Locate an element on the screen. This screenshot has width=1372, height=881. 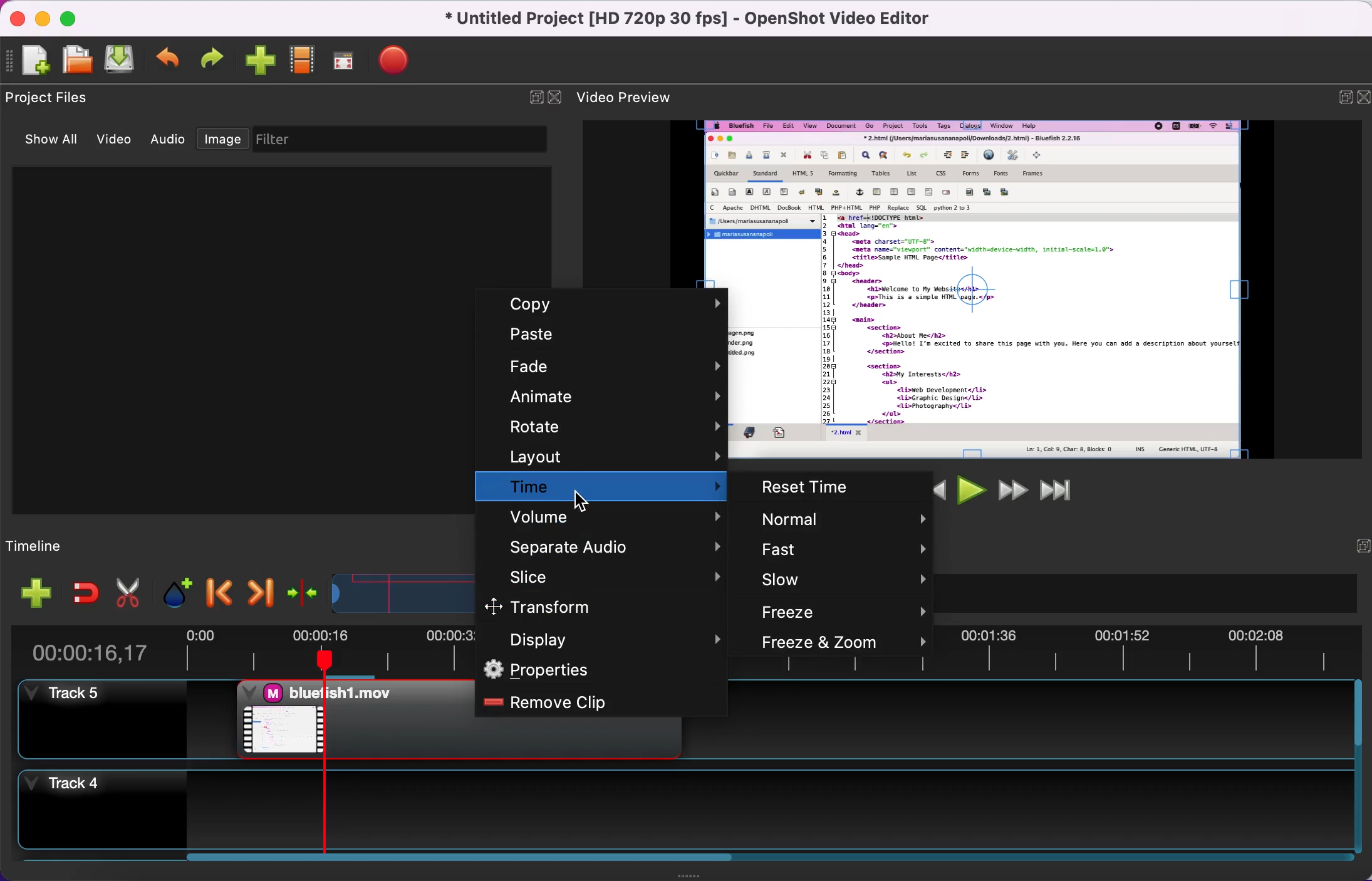
center the timeline is located at coordinates (299, 589).